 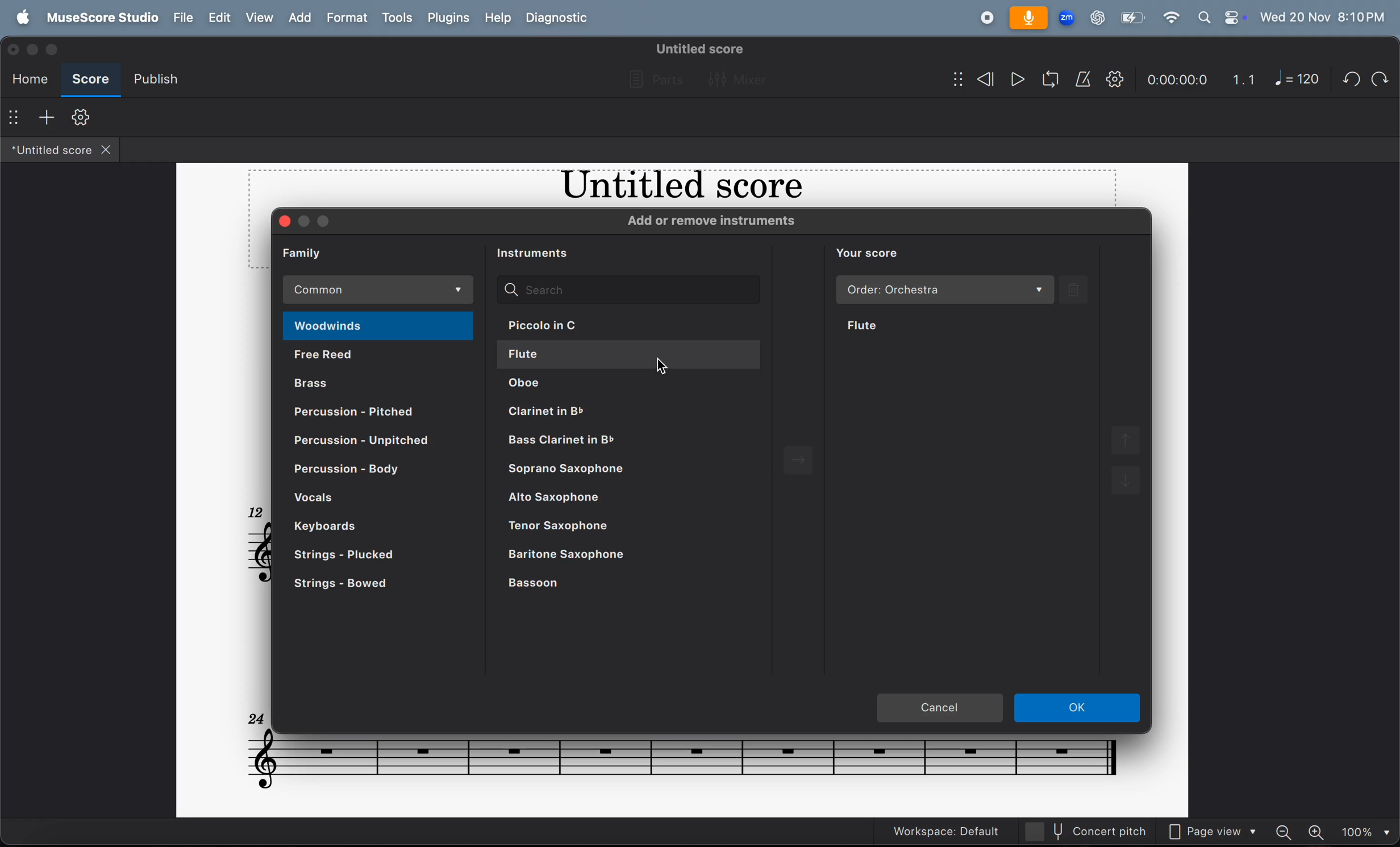 What do you see at coordinates (677, 760) in the screenshot?
I see `notes` at bounding box center [677, 760].